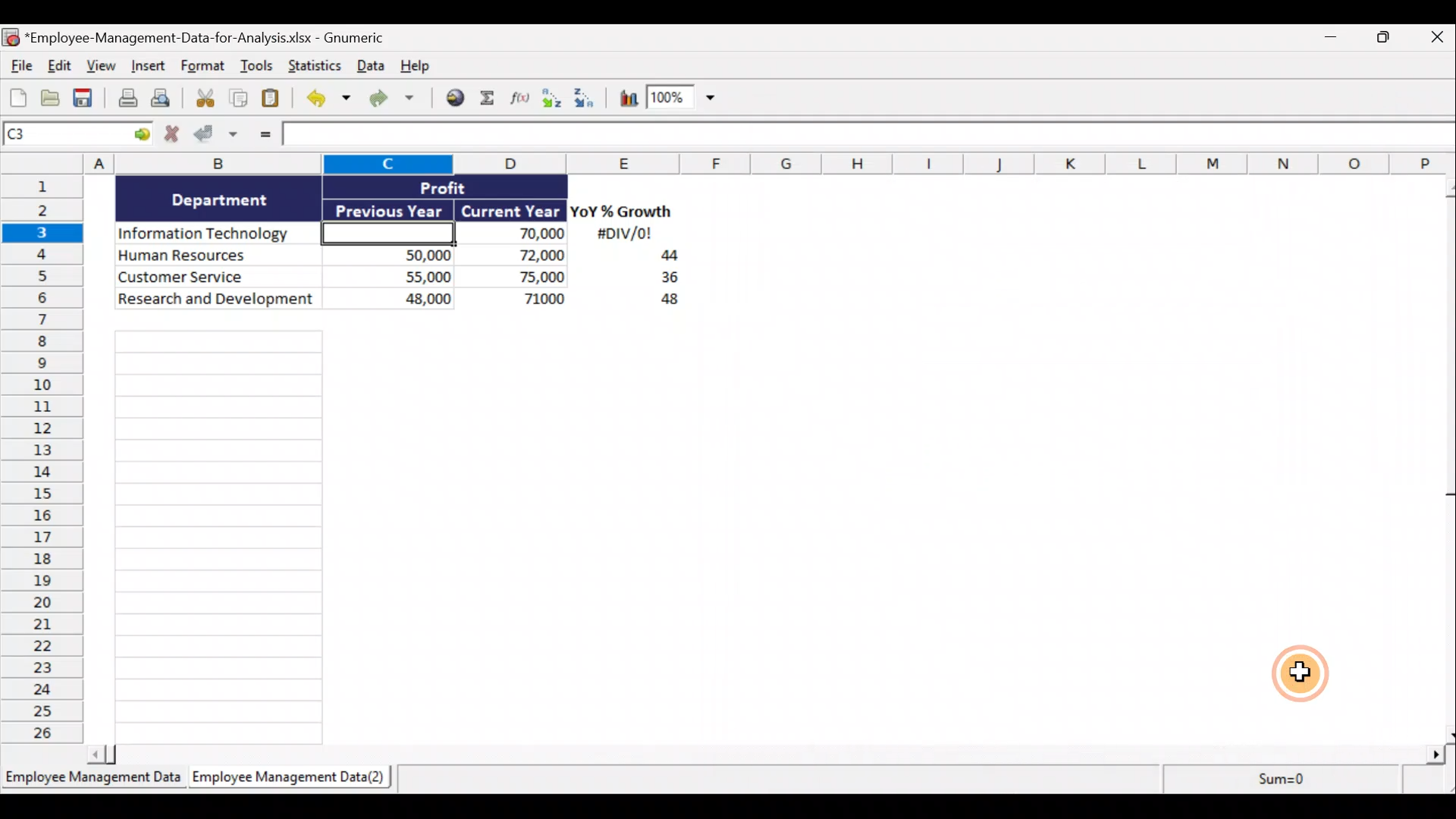  What do you see at coordinates (397, 276) in the screenshot?
I see `55,000` at bounding box center [397, 276].